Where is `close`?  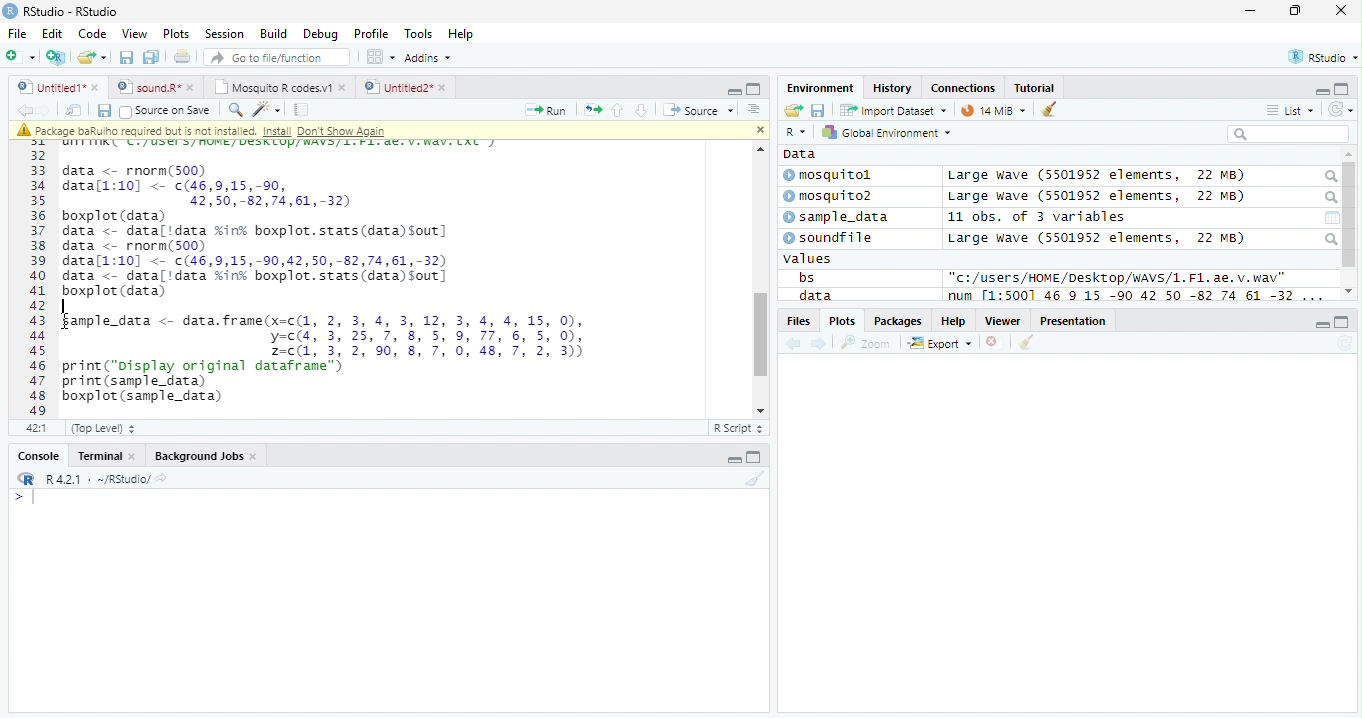
close is located at coordinates (759, 130).